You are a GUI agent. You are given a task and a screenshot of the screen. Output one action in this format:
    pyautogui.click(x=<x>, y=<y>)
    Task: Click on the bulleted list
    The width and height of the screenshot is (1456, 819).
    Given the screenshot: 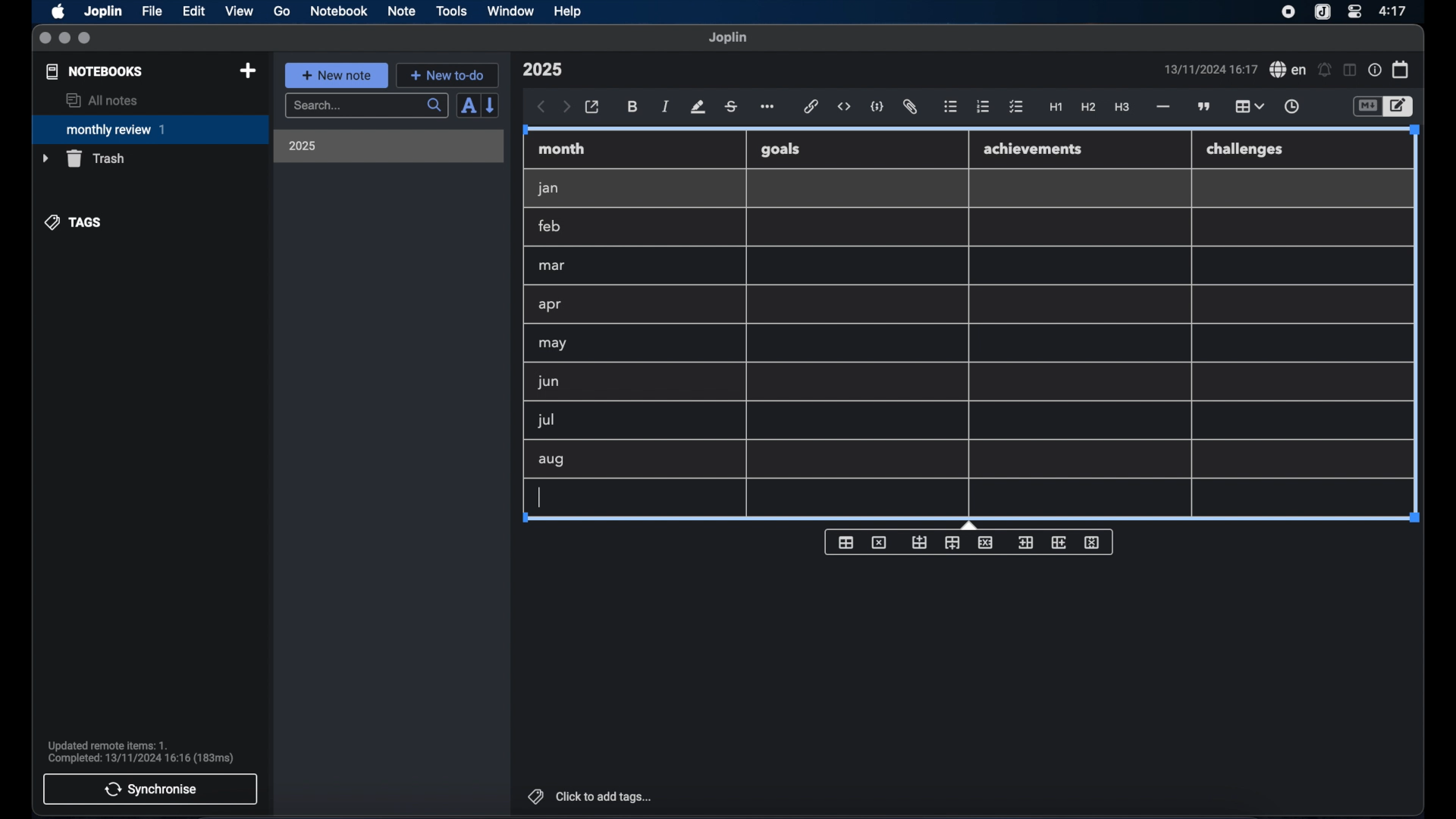 What is the action you would take?
    pyautogui.click(x=950, y=107)
    